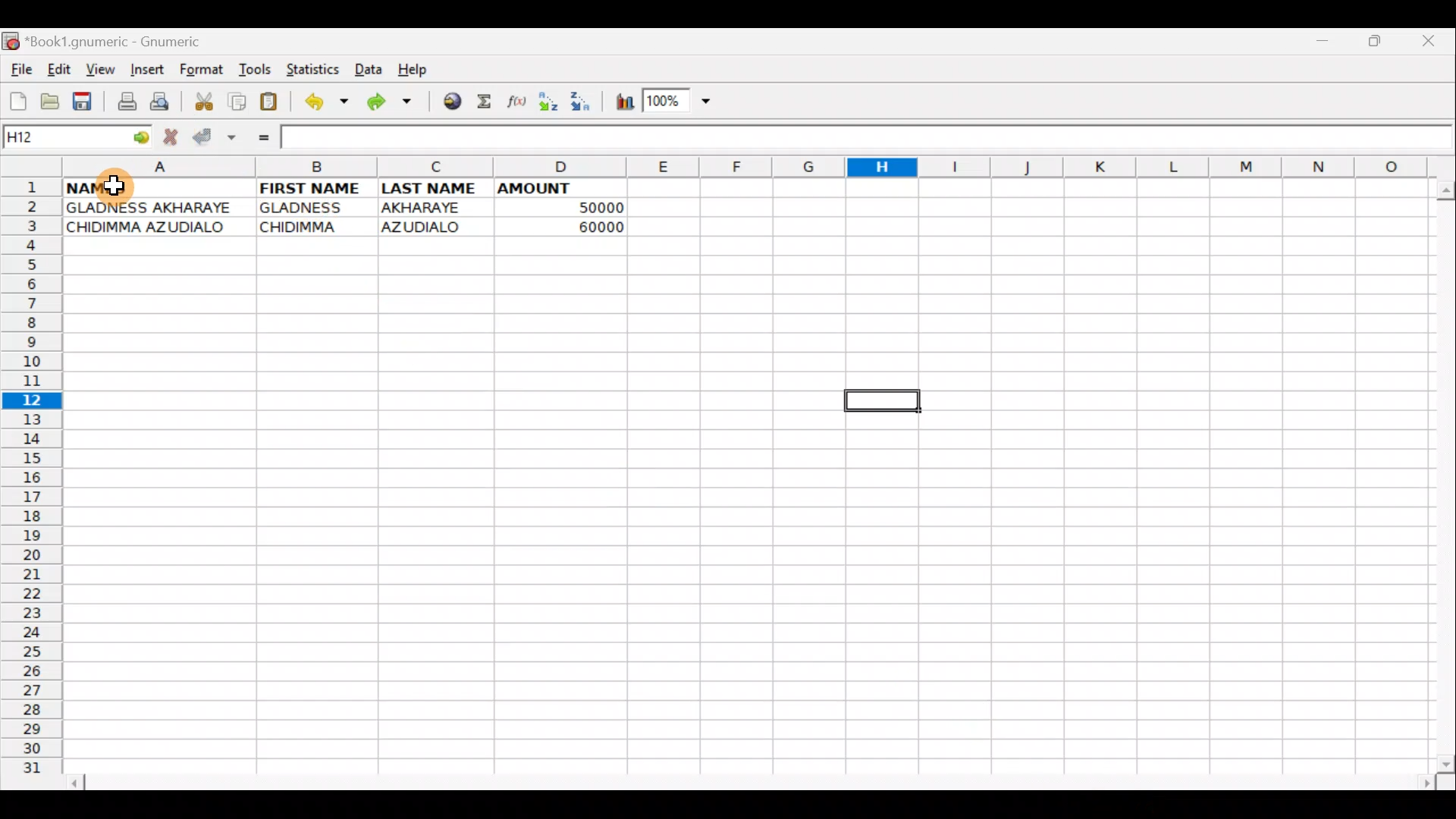  Describe the element at coordinates (1320, 43) in the screenshot. I see `Minimize` at that location.